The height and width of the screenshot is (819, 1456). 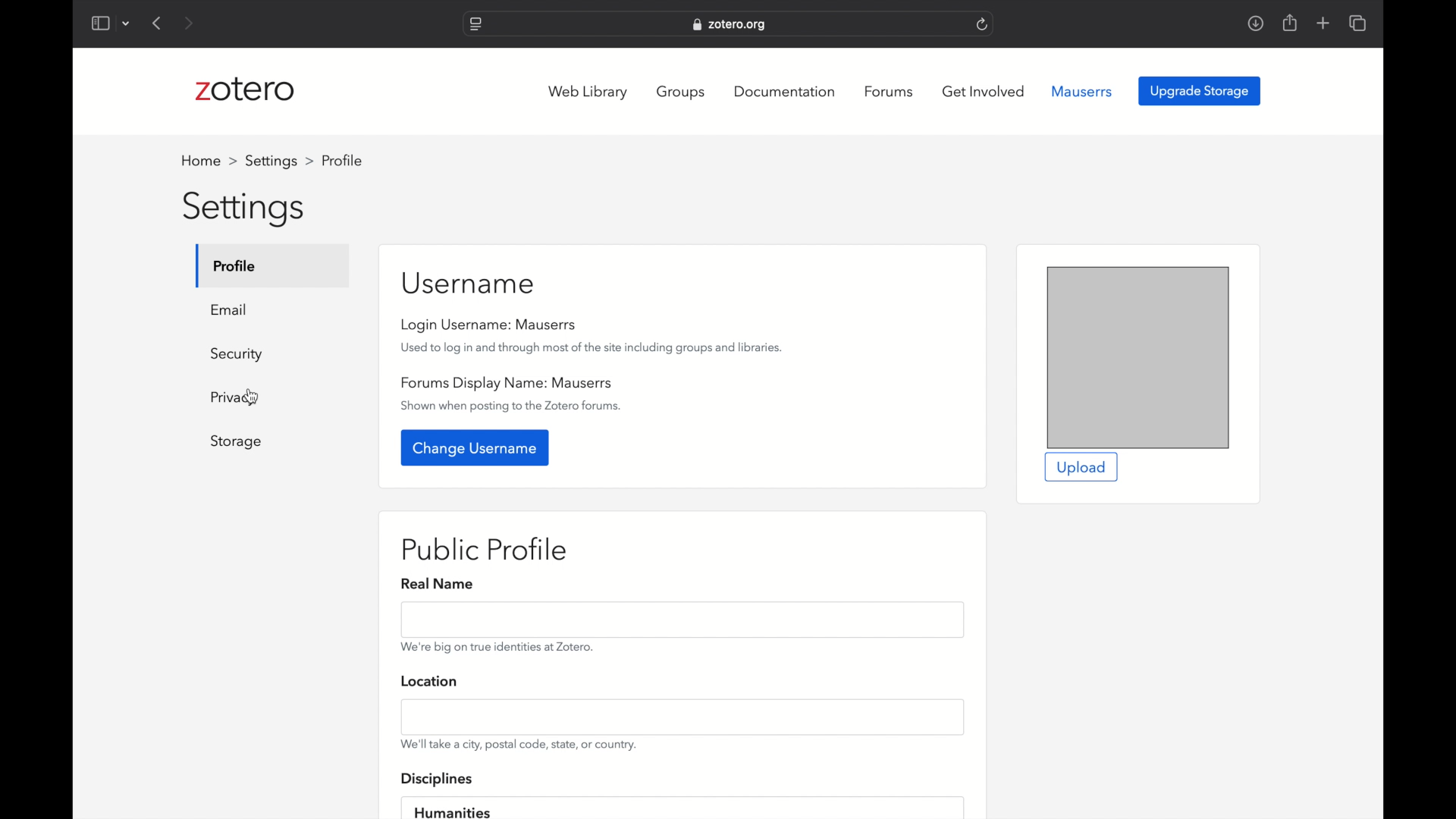 I want to click on documentation, so click(x=787, y=91).